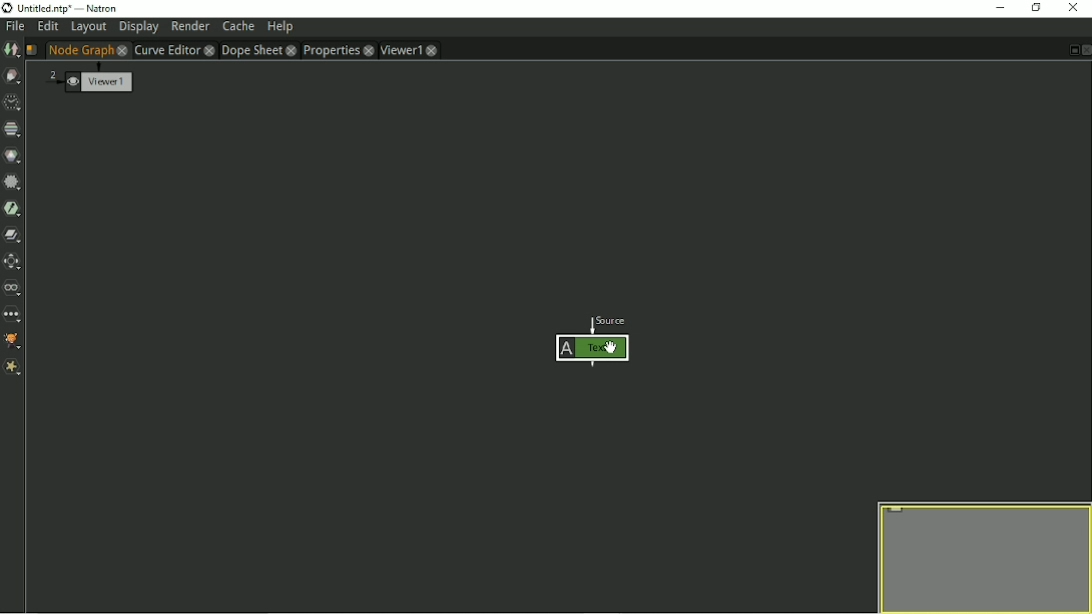  Describe the element at coordinates (436, 50) in the screenshot. I see `close` at that location.